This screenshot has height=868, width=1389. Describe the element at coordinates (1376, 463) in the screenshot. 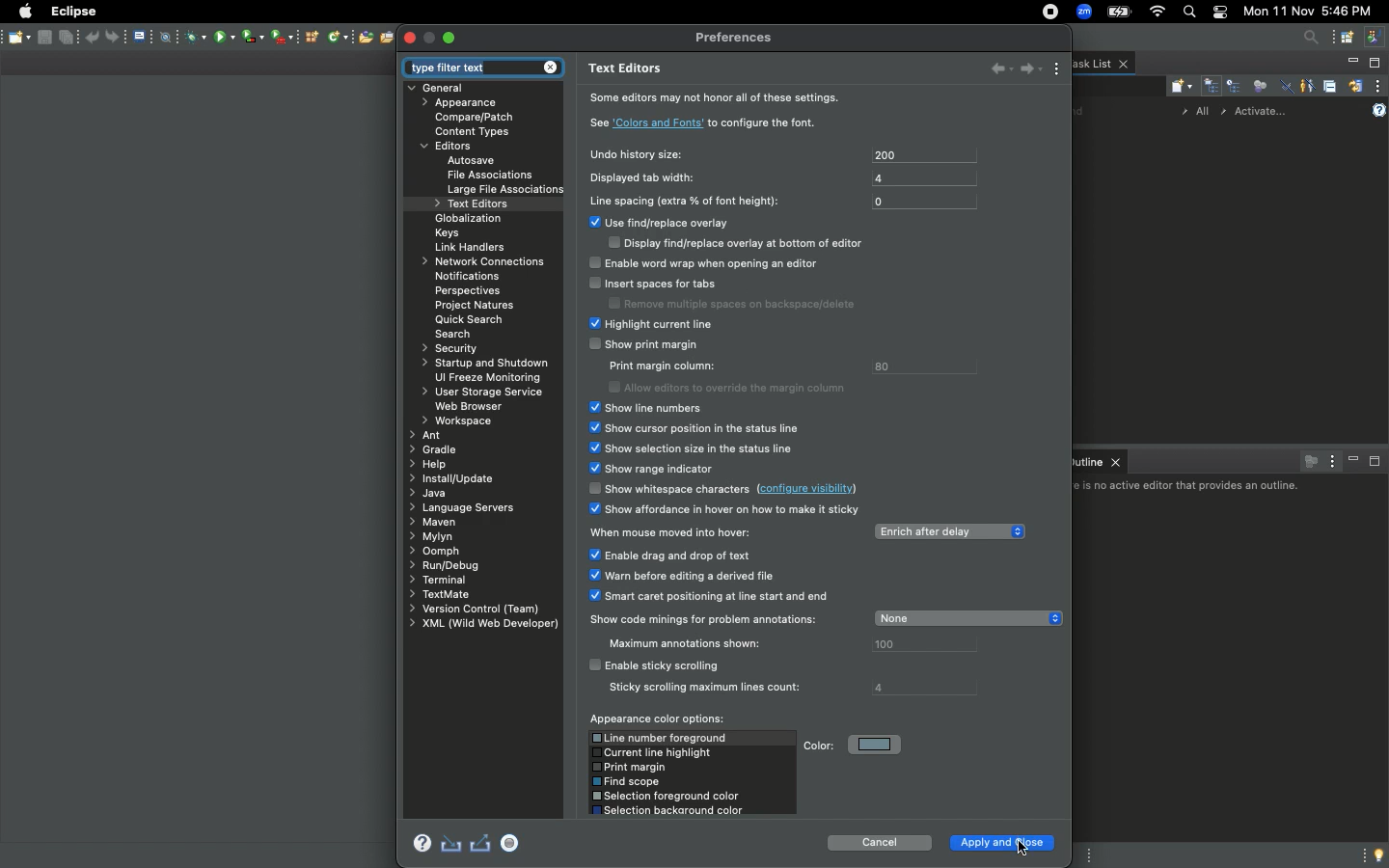

I see `Maximize` at that location.